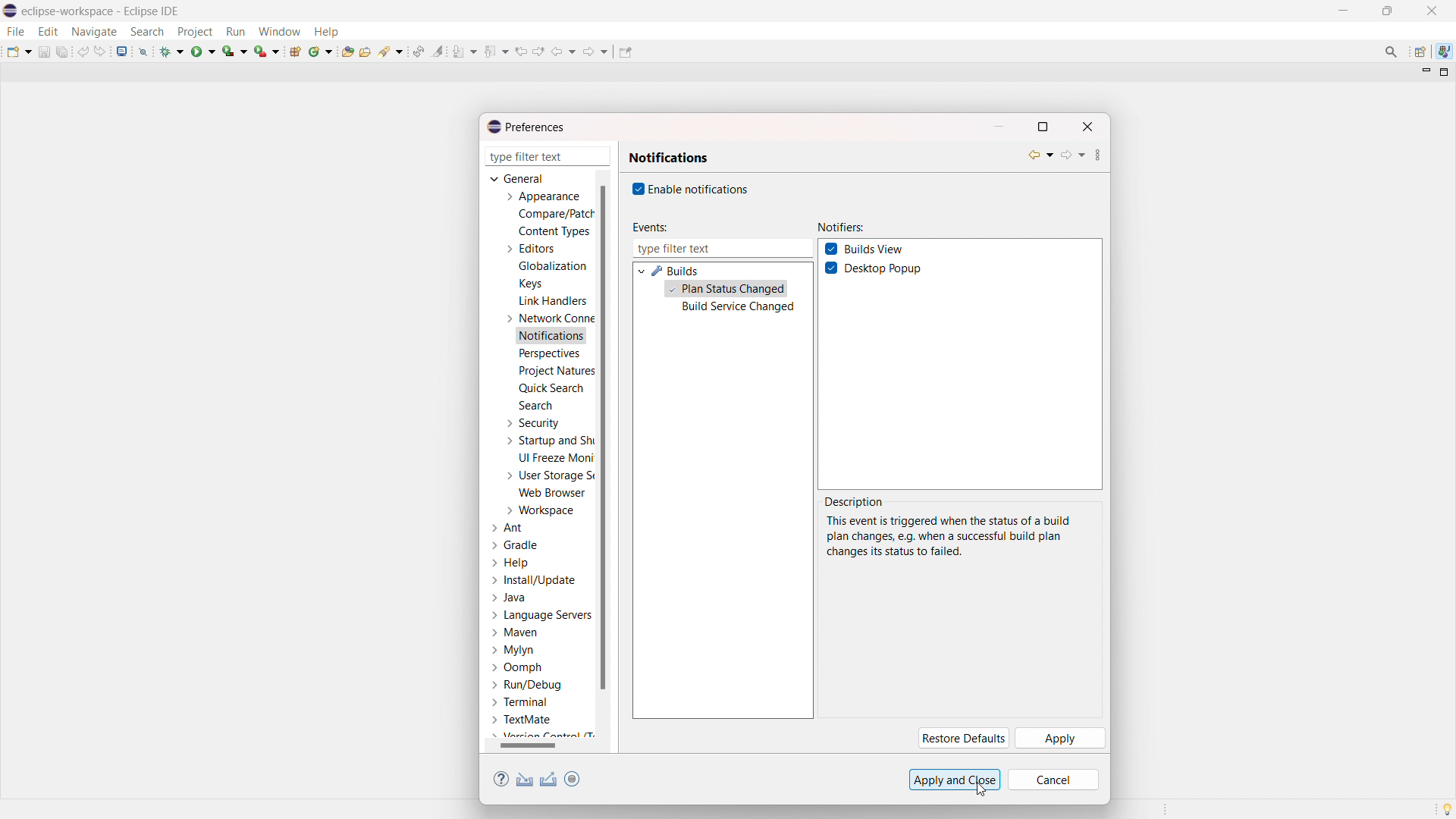 The height and width of the screenshot is (819, 1456). What do you see at coordinates (596, 51) in the screenshot?
I see `foreward` at bounding box center [596, 51].